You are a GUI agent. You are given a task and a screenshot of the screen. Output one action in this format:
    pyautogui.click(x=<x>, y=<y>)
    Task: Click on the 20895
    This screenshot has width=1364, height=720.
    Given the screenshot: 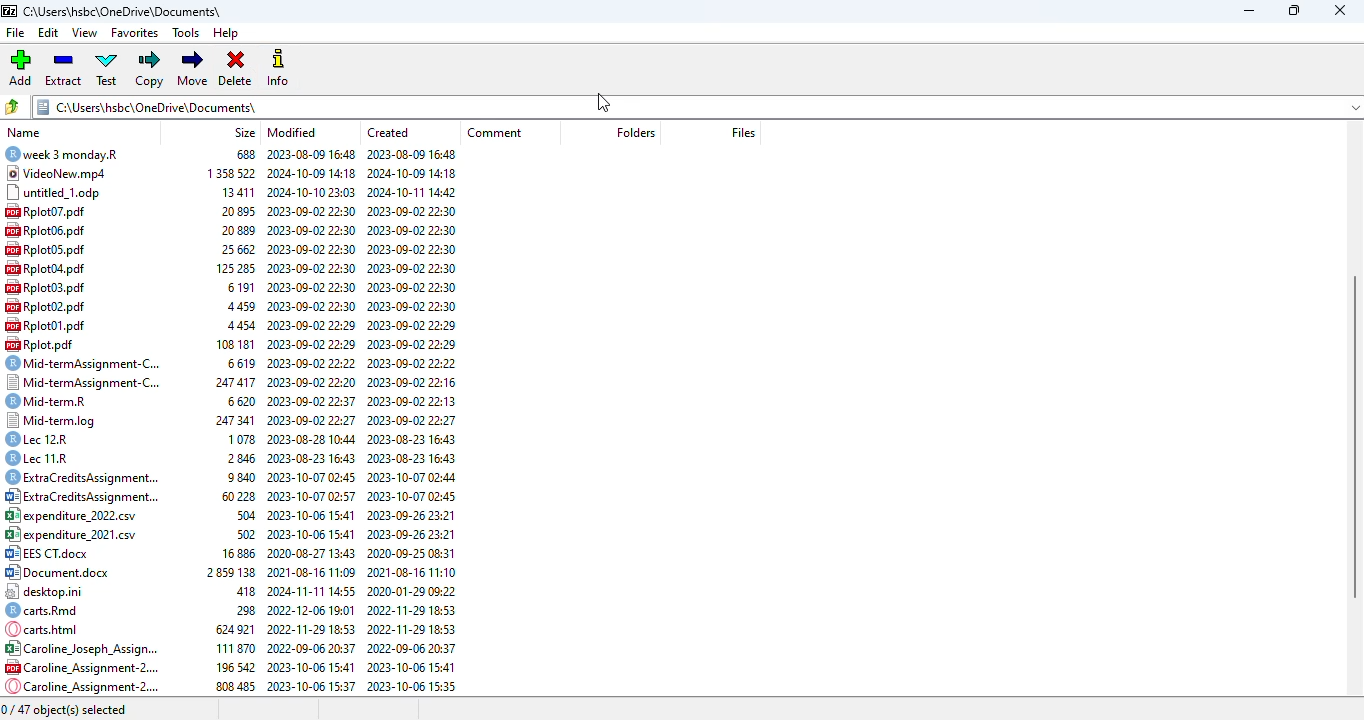 What is the action you would take?
    pyautogui.click(x=230, y=213)
    